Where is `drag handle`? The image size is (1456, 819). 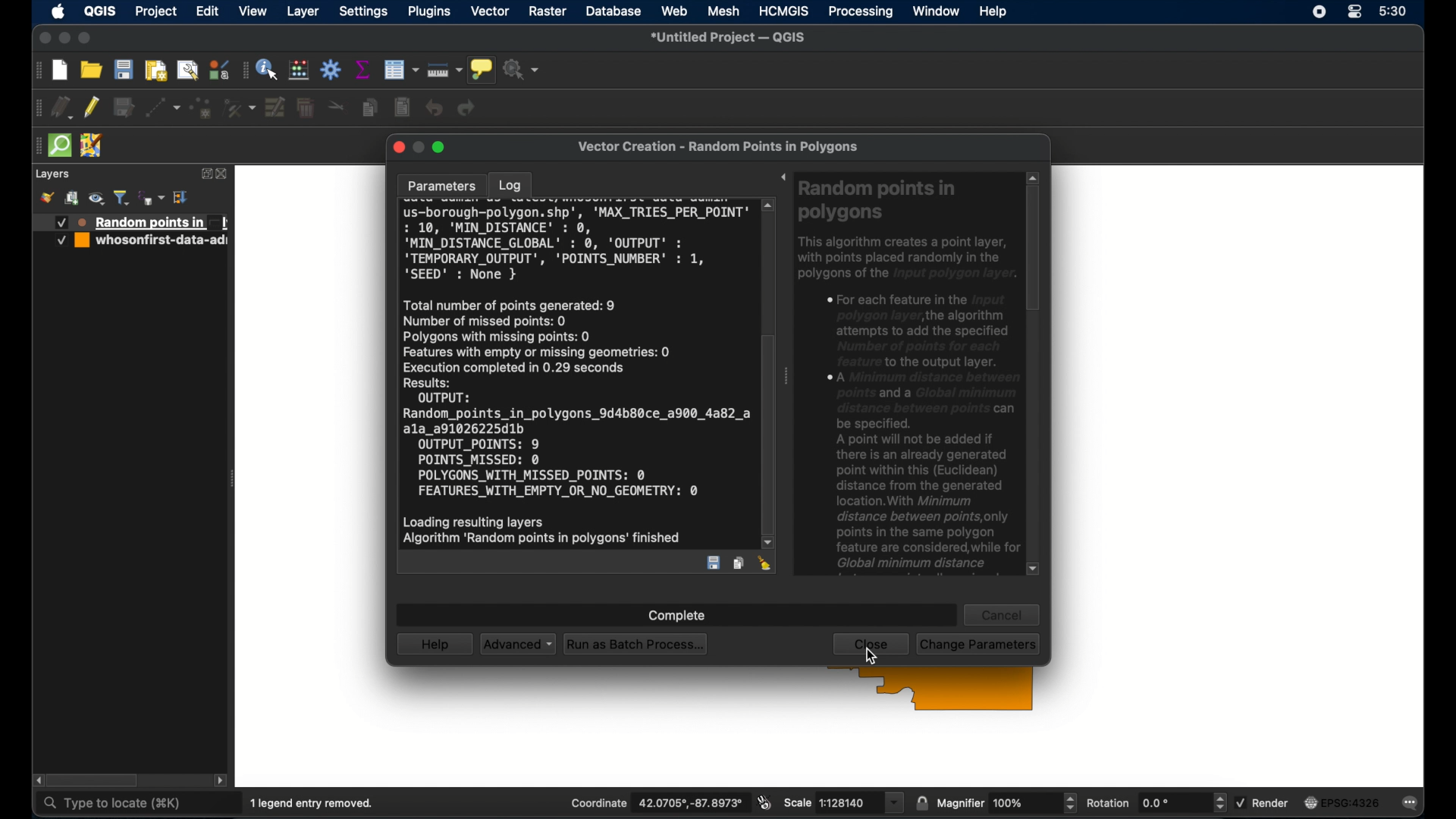
drag handle is located at coordinates (786, 378).